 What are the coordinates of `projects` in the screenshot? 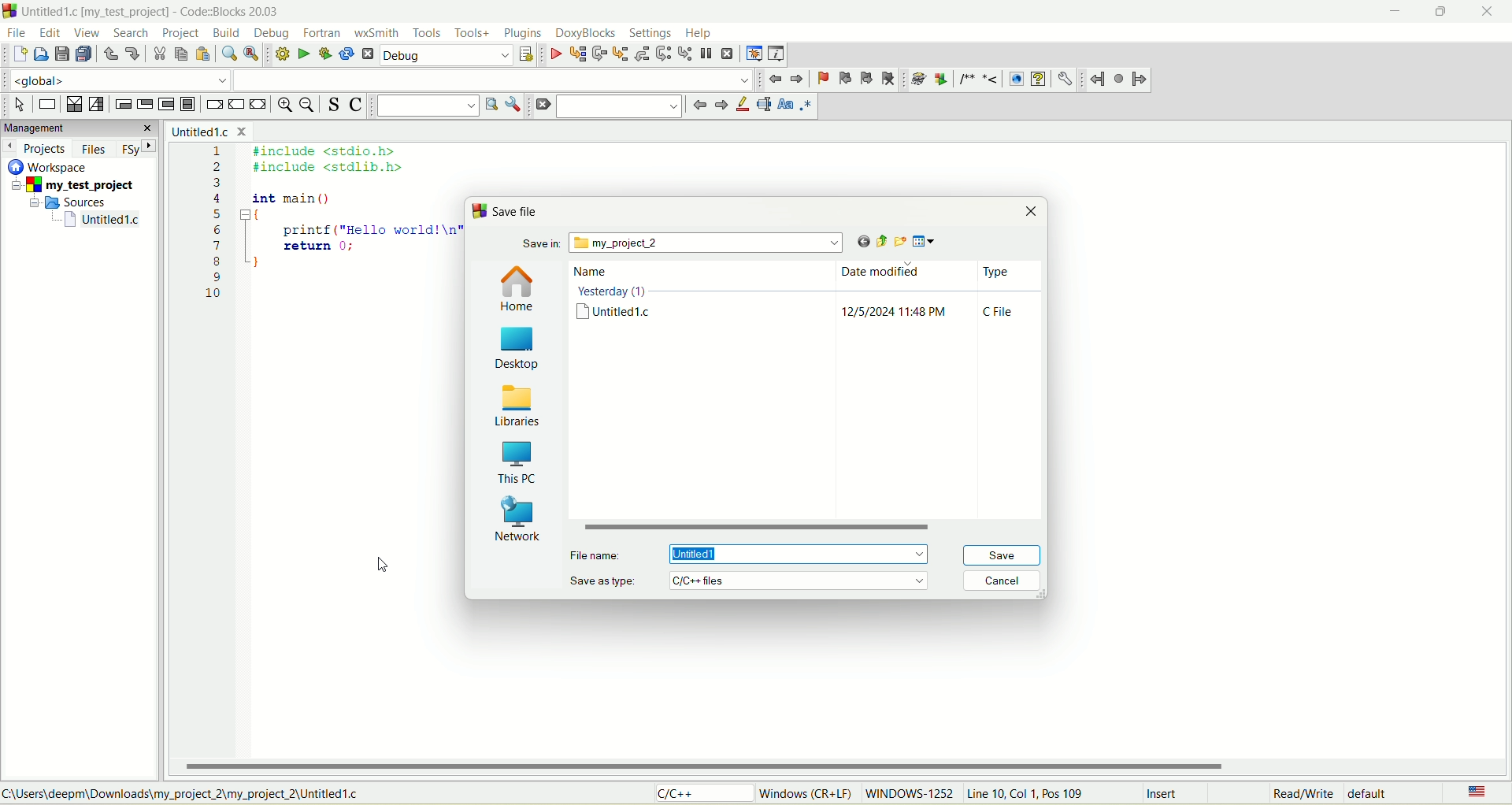 It's located at (37, 148).